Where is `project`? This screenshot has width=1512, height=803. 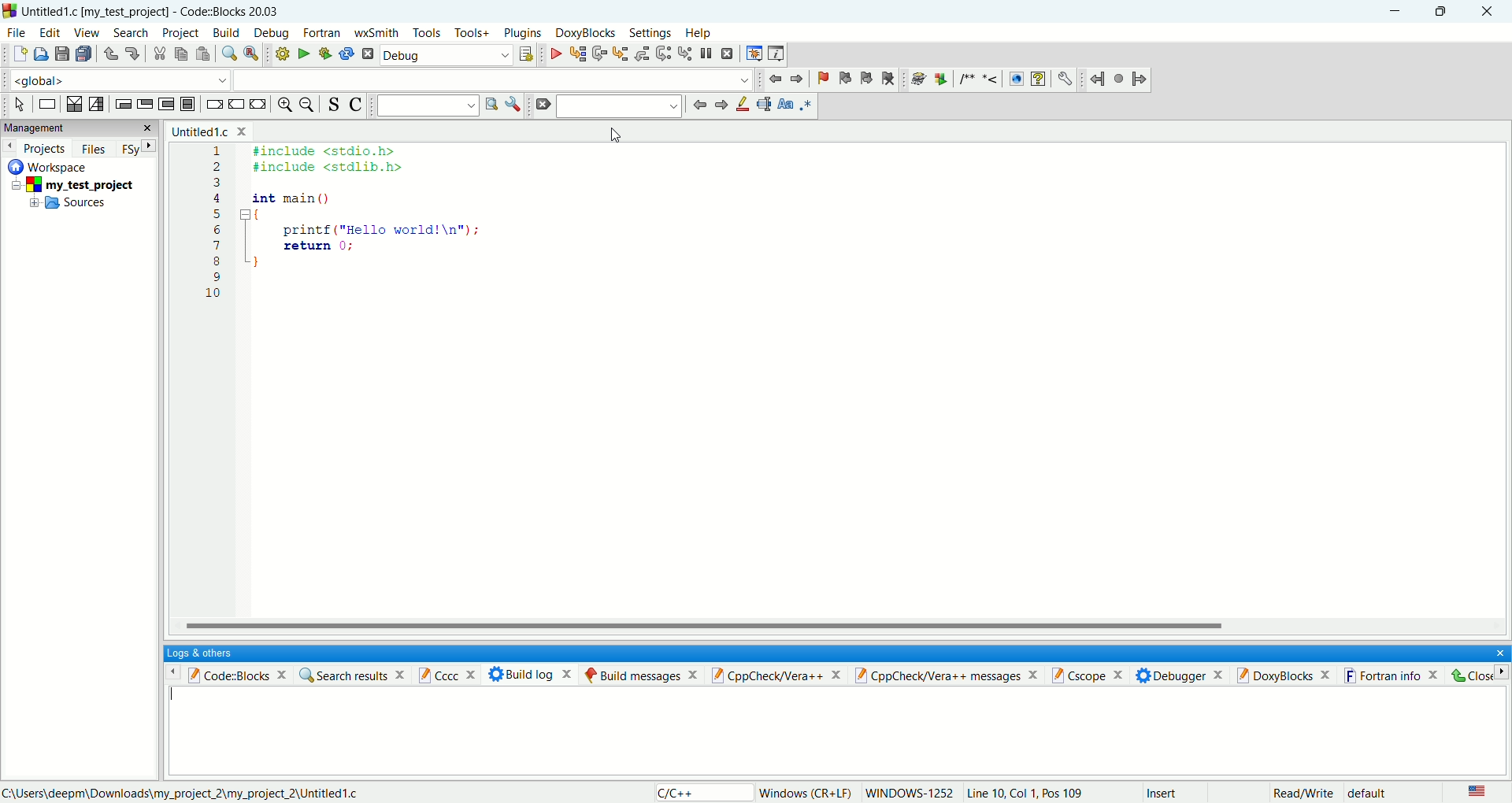
project is located at coordinates (180, 34).